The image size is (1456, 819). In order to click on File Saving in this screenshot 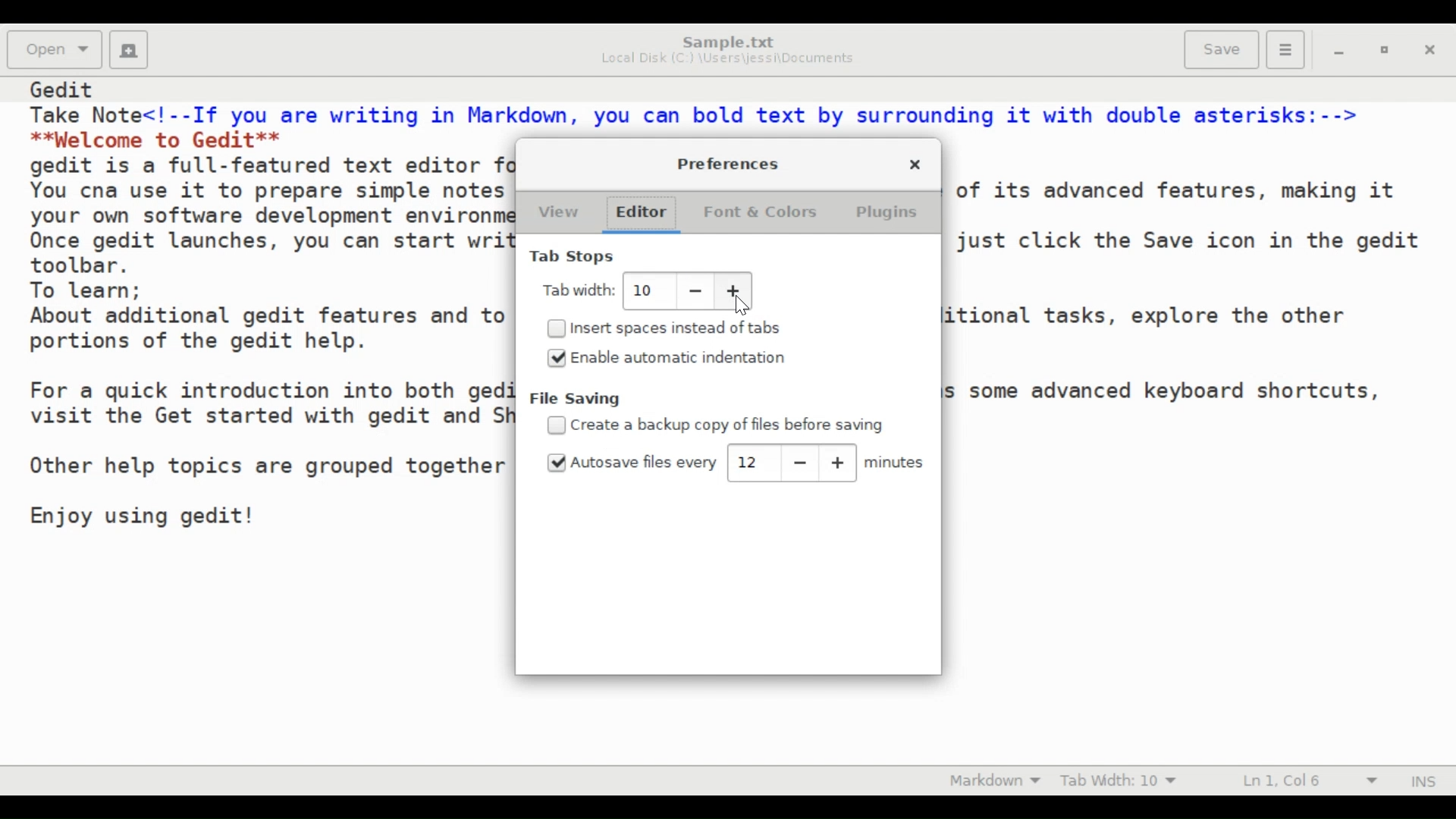, I will do `click(581, 399)`.